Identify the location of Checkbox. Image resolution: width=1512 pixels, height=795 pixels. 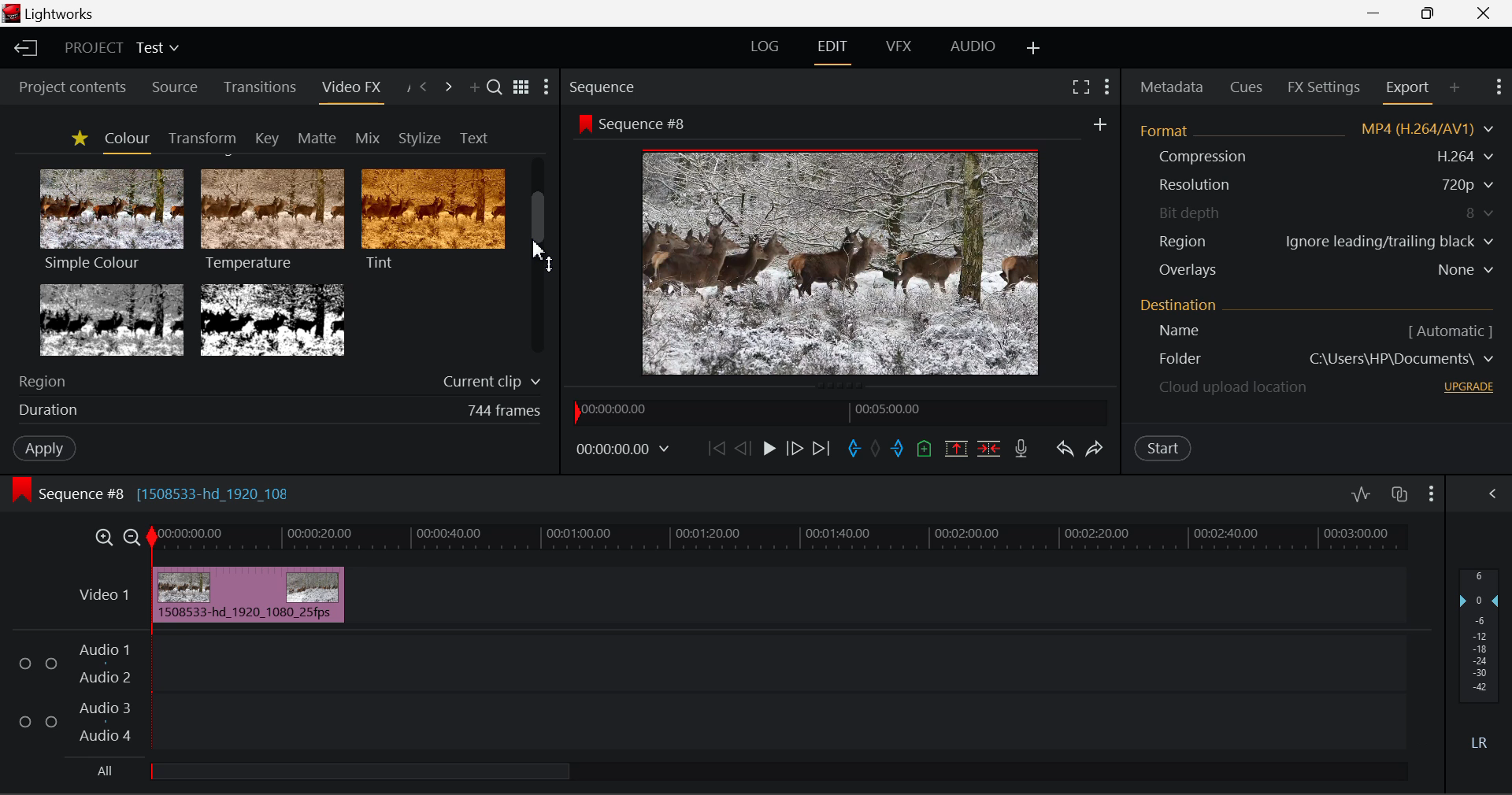
(25, 720).